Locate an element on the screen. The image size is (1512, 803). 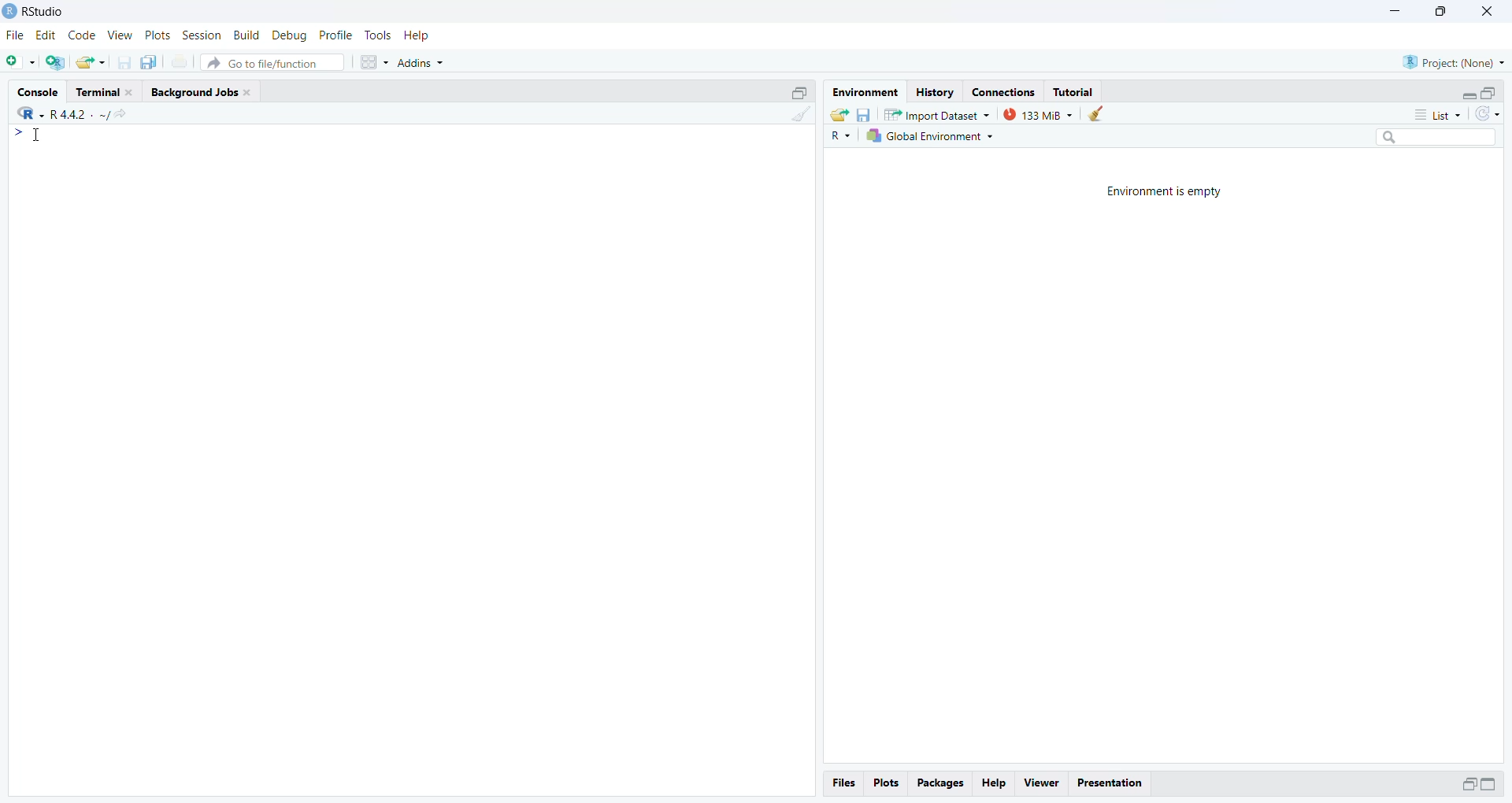
133  MB used by R session is located at coordinates (1039, 117).